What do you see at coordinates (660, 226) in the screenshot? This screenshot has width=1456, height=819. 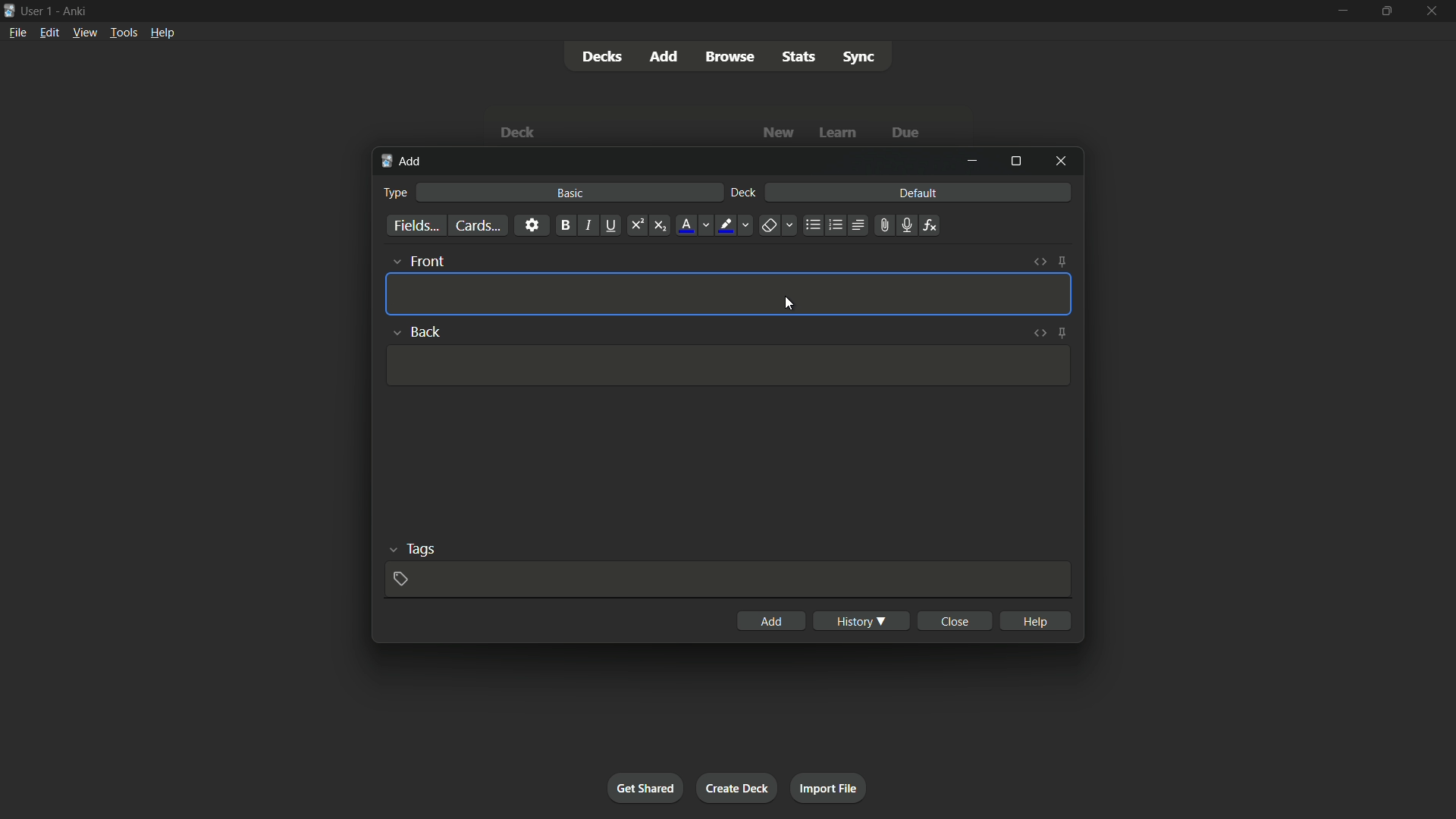 I see `subscript` at bounding box center [660, 226].